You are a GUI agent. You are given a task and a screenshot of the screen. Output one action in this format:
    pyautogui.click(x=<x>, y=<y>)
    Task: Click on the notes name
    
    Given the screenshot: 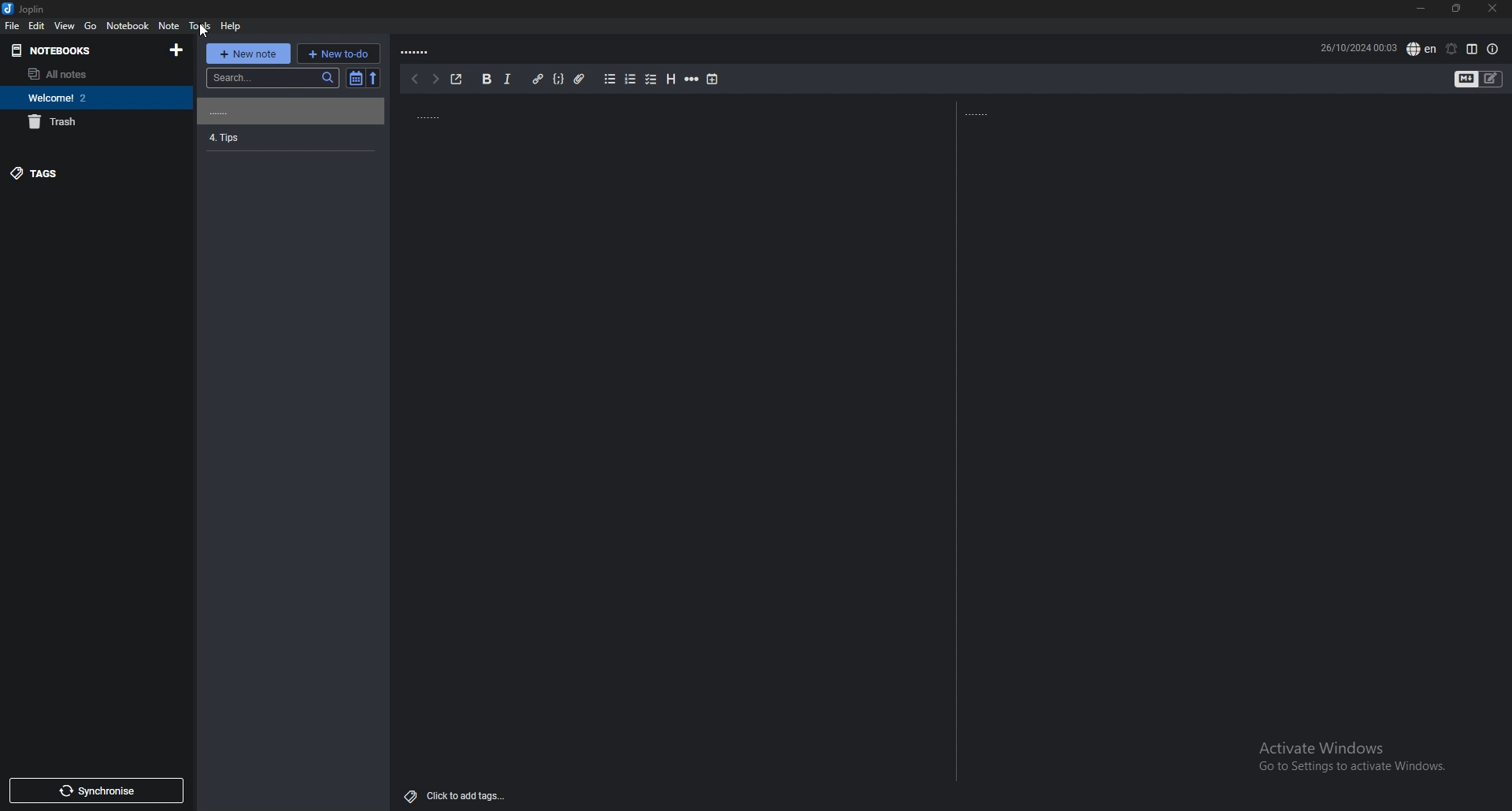 What is the action you would take?
    pyautogui.click(x=287, y=111)
    